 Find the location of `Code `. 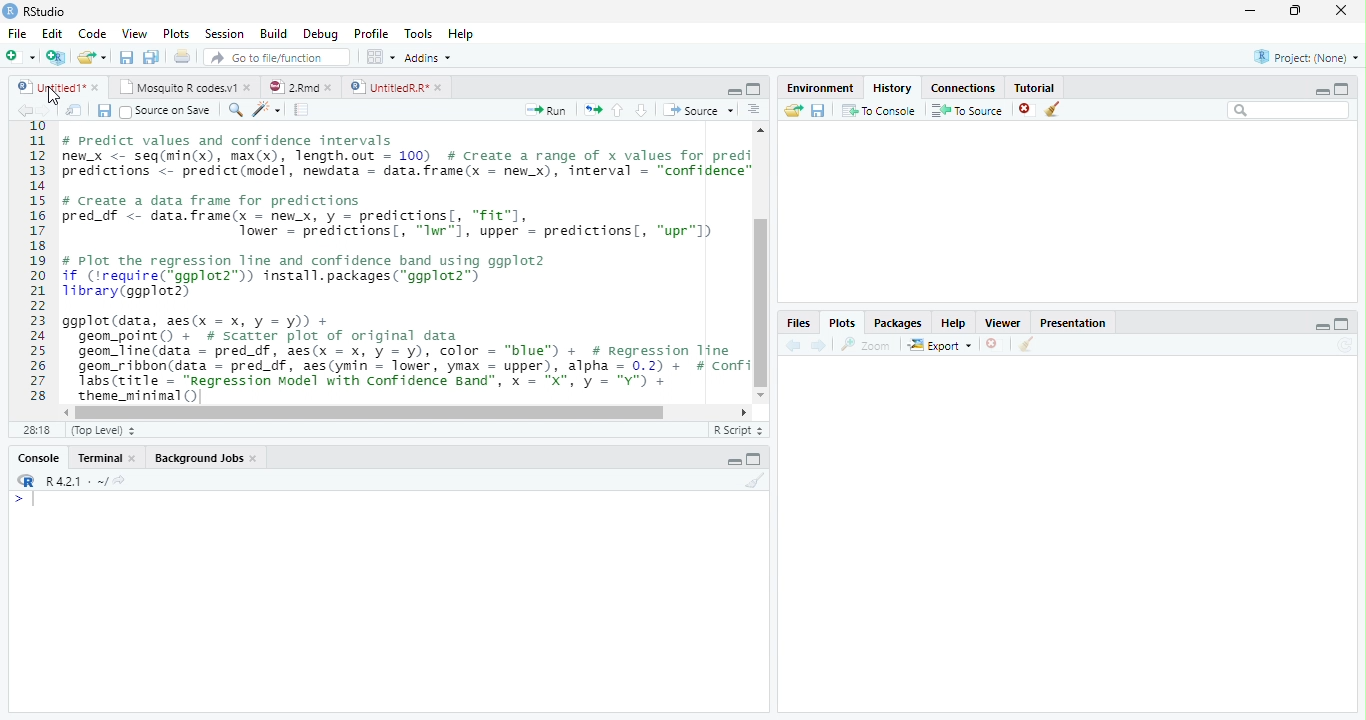

Code  is located at coordinates (268, 110).